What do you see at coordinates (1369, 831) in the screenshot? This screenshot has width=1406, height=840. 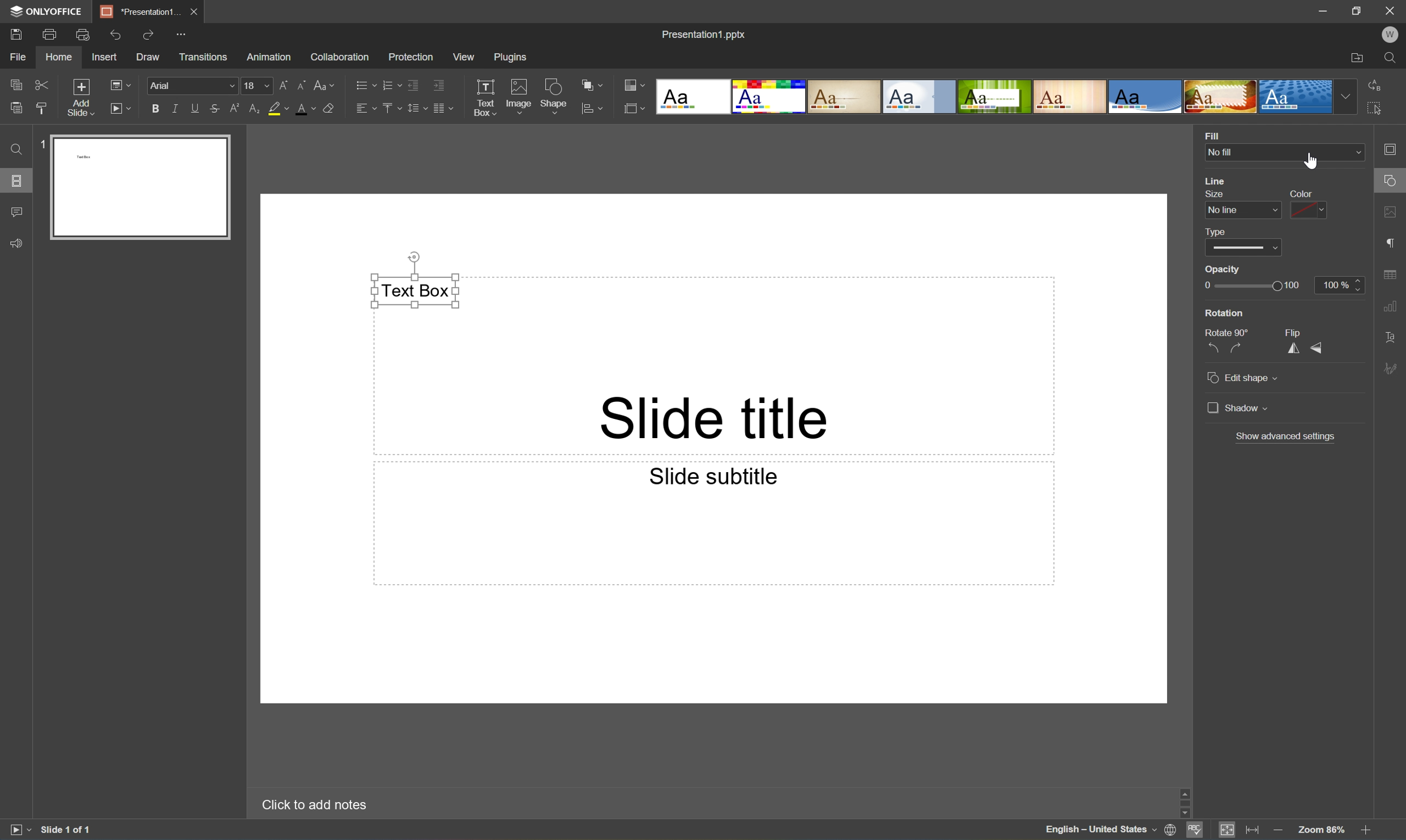 I see `Zoom in` at bounding box center [1369, 831].